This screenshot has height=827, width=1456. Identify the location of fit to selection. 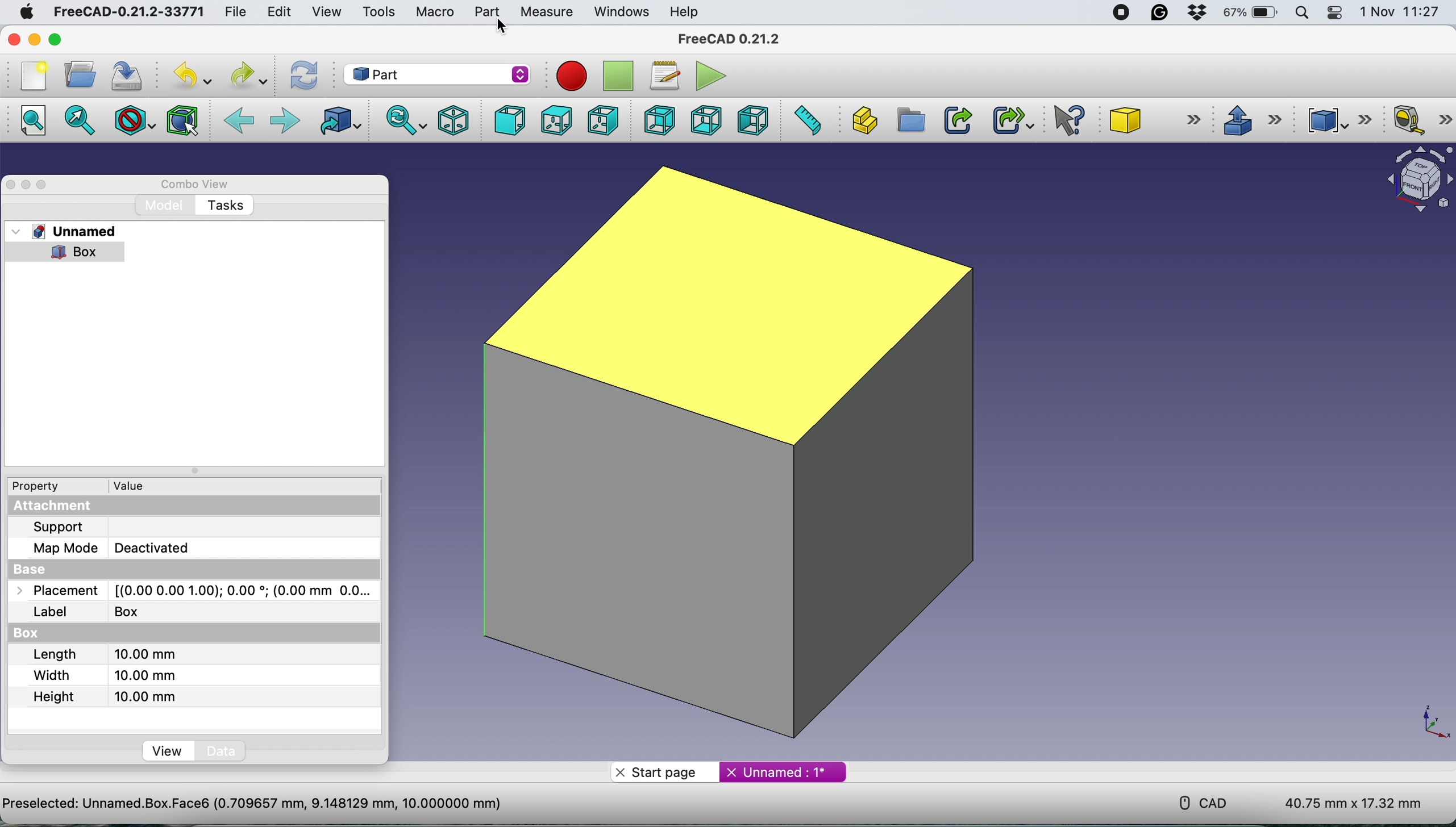
(80, 119).